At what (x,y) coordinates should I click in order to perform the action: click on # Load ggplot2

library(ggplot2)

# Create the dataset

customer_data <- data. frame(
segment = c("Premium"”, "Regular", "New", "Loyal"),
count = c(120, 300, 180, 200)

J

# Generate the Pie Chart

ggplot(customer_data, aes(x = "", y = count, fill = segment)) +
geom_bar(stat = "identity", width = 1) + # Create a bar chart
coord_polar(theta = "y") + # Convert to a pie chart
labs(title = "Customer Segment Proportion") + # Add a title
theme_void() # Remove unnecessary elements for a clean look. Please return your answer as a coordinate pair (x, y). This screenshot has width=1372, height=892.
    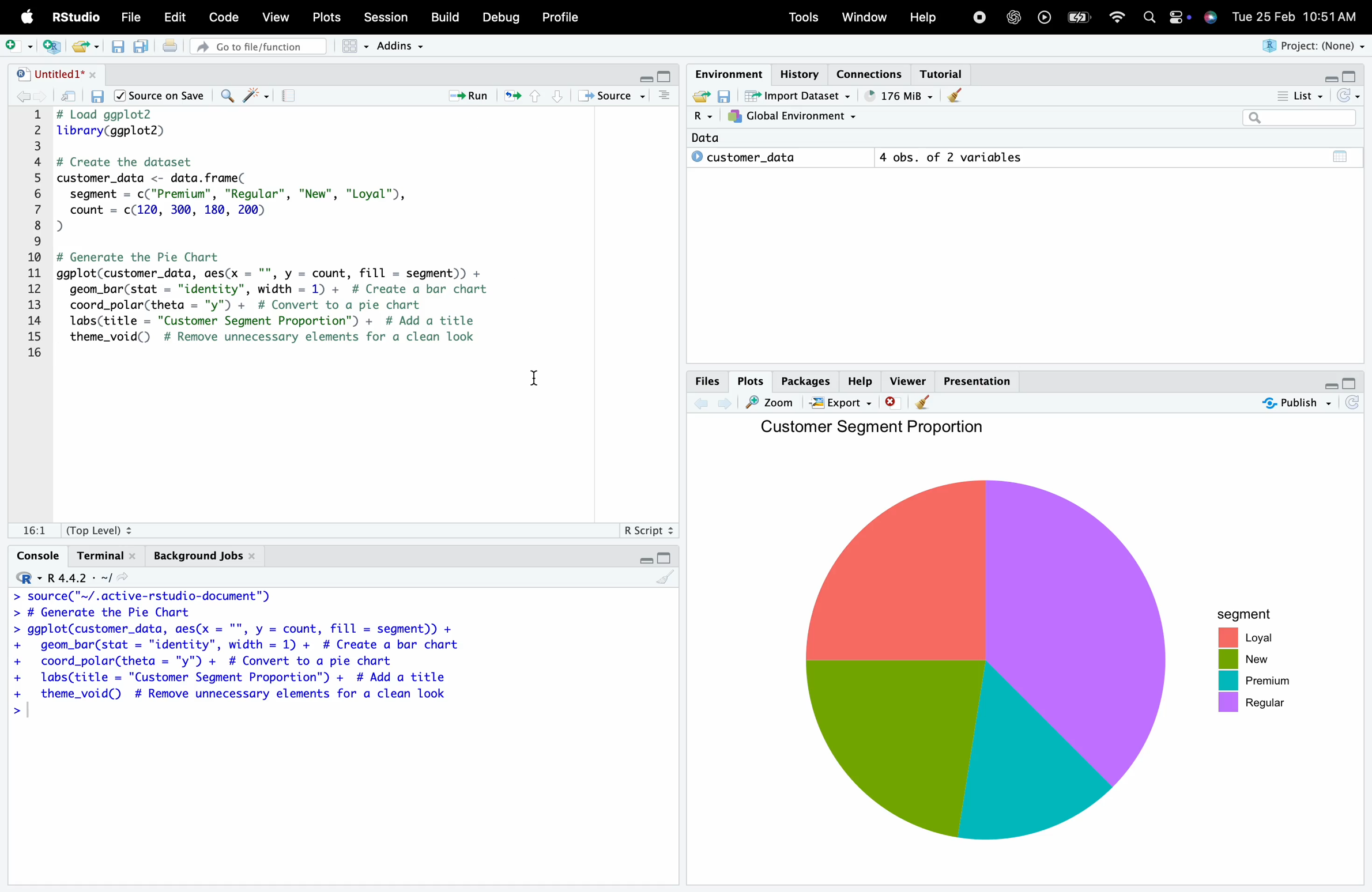
    Looking at the image, I should click on (318, 234).